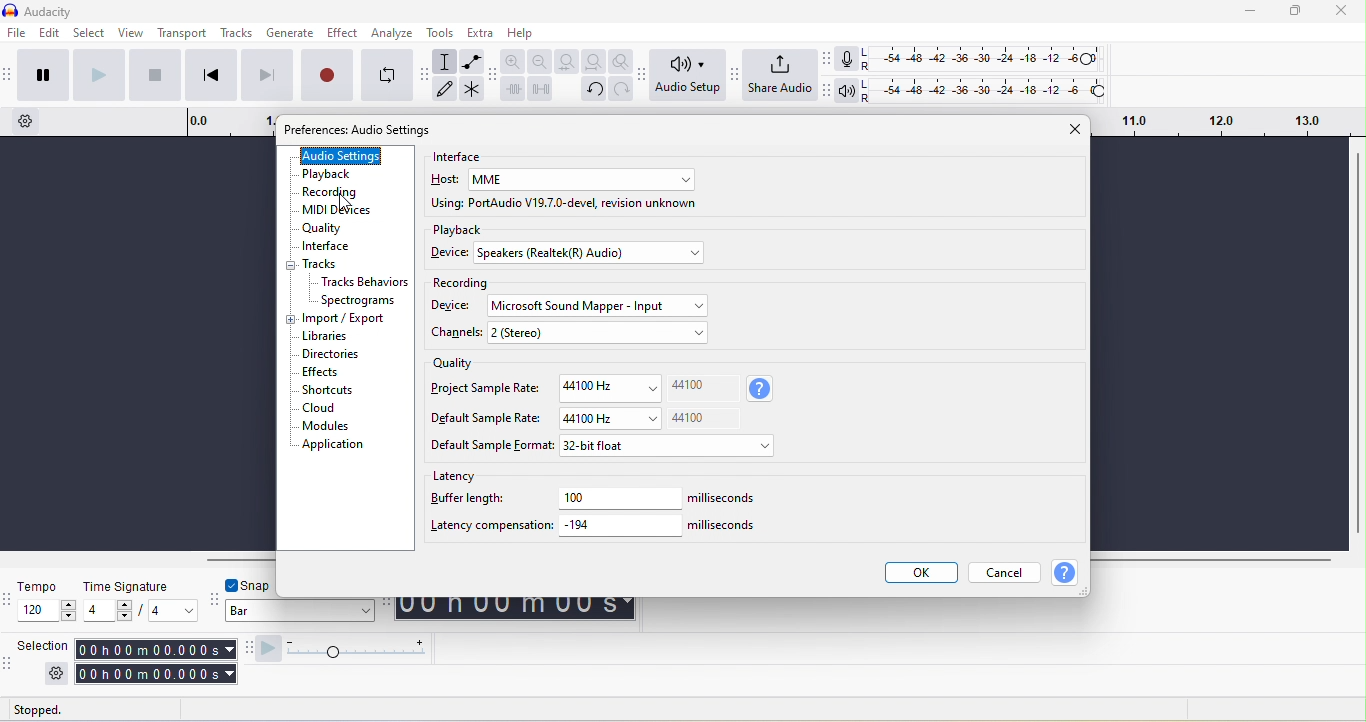 The image size is (1366, 722). Describe the element at coordinates (132, 31) in the screenshot. I see `view` at that location.